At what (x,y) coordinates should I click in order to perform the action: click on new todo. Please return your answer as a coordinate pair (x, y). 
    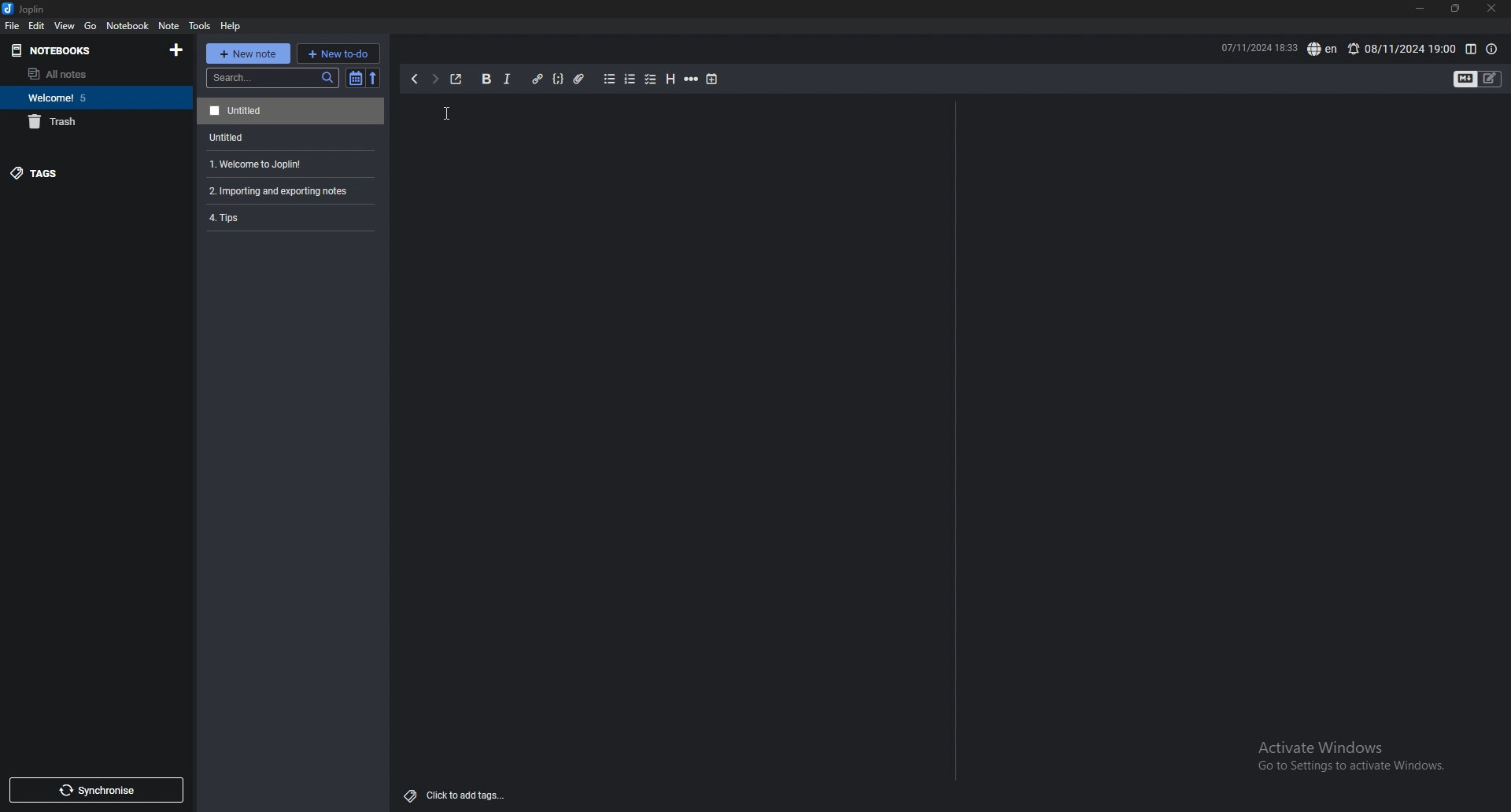
    Looking at the image, I should click on (338, 53).